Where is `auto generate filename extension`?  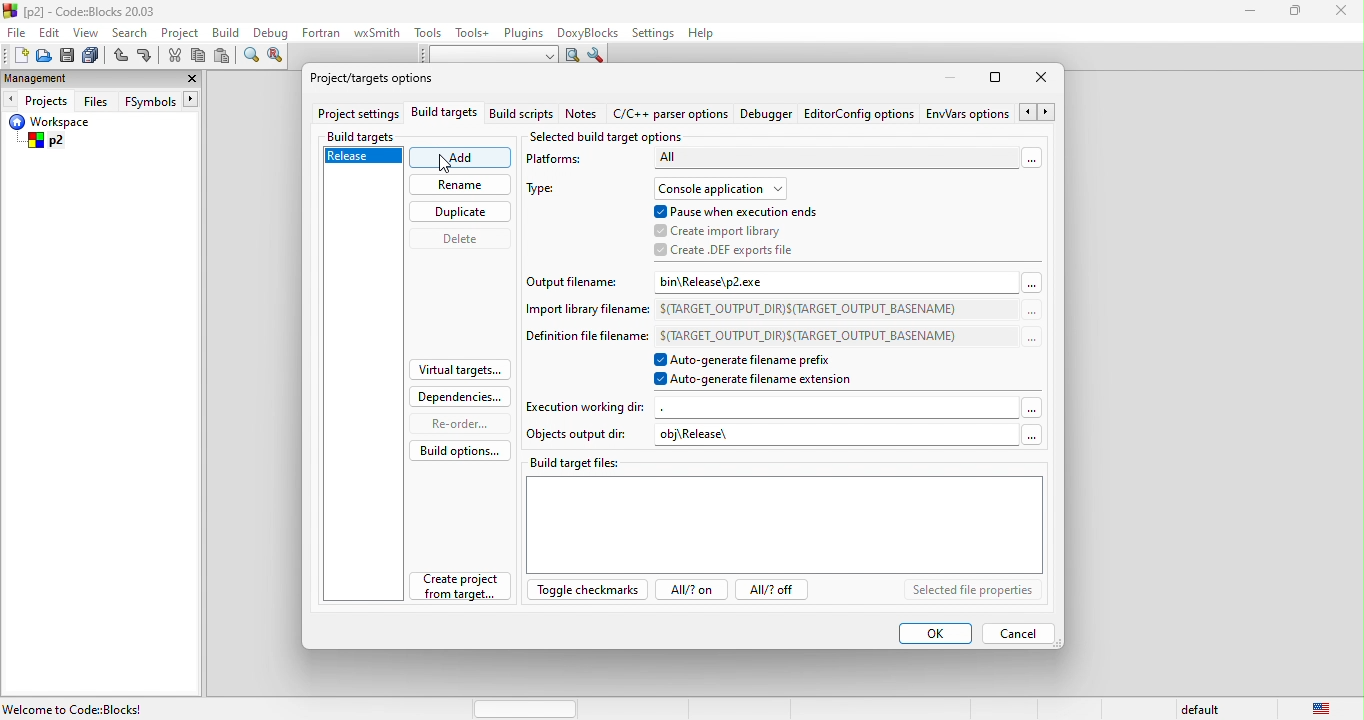 auto generate filename extension is located at coordinates (756, 382).